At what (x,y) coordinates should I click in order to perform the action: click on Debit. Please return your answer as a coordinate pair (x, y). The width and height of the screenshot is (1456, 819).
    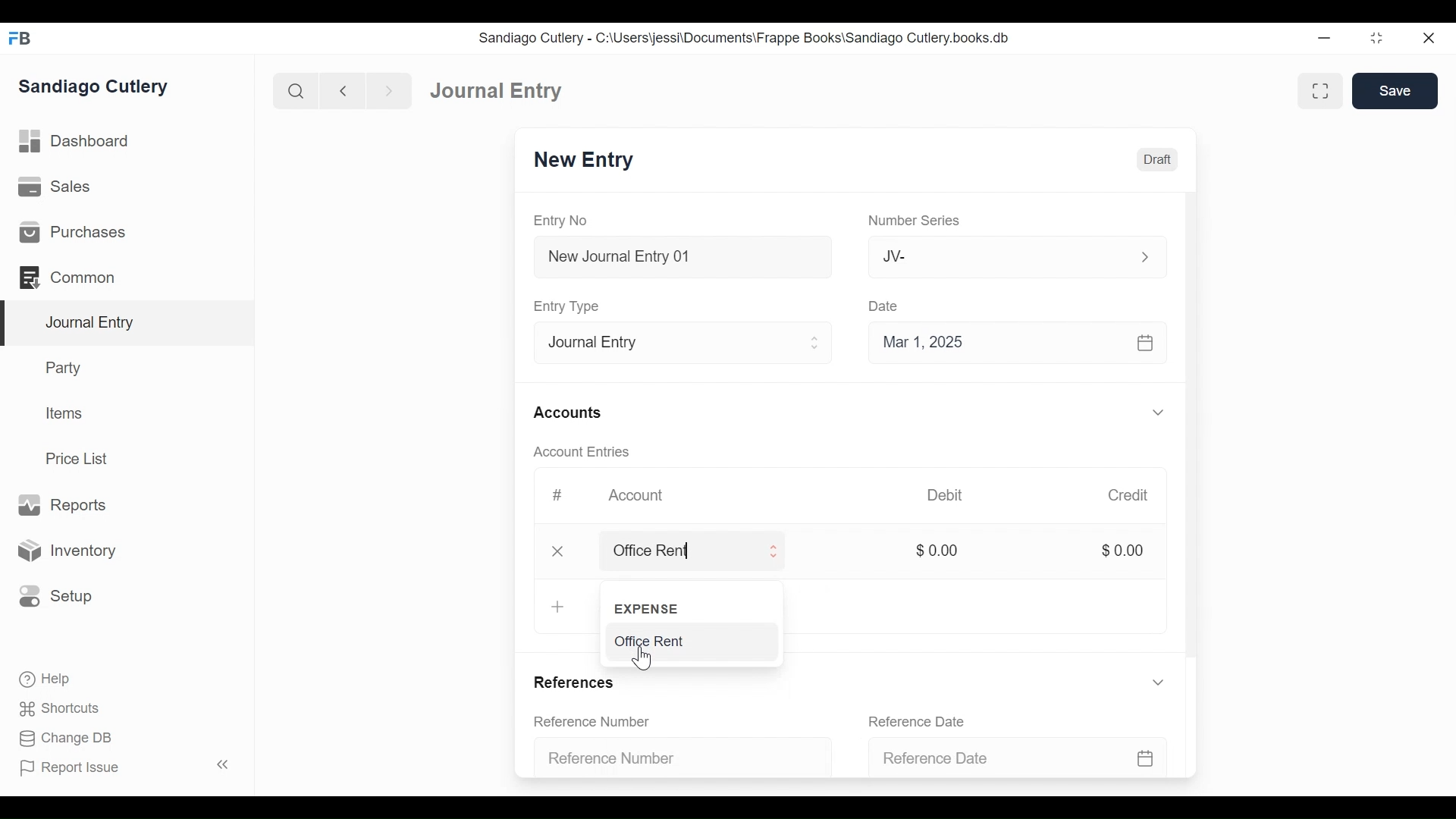
    Looking at the image, I should click on (948, 495).